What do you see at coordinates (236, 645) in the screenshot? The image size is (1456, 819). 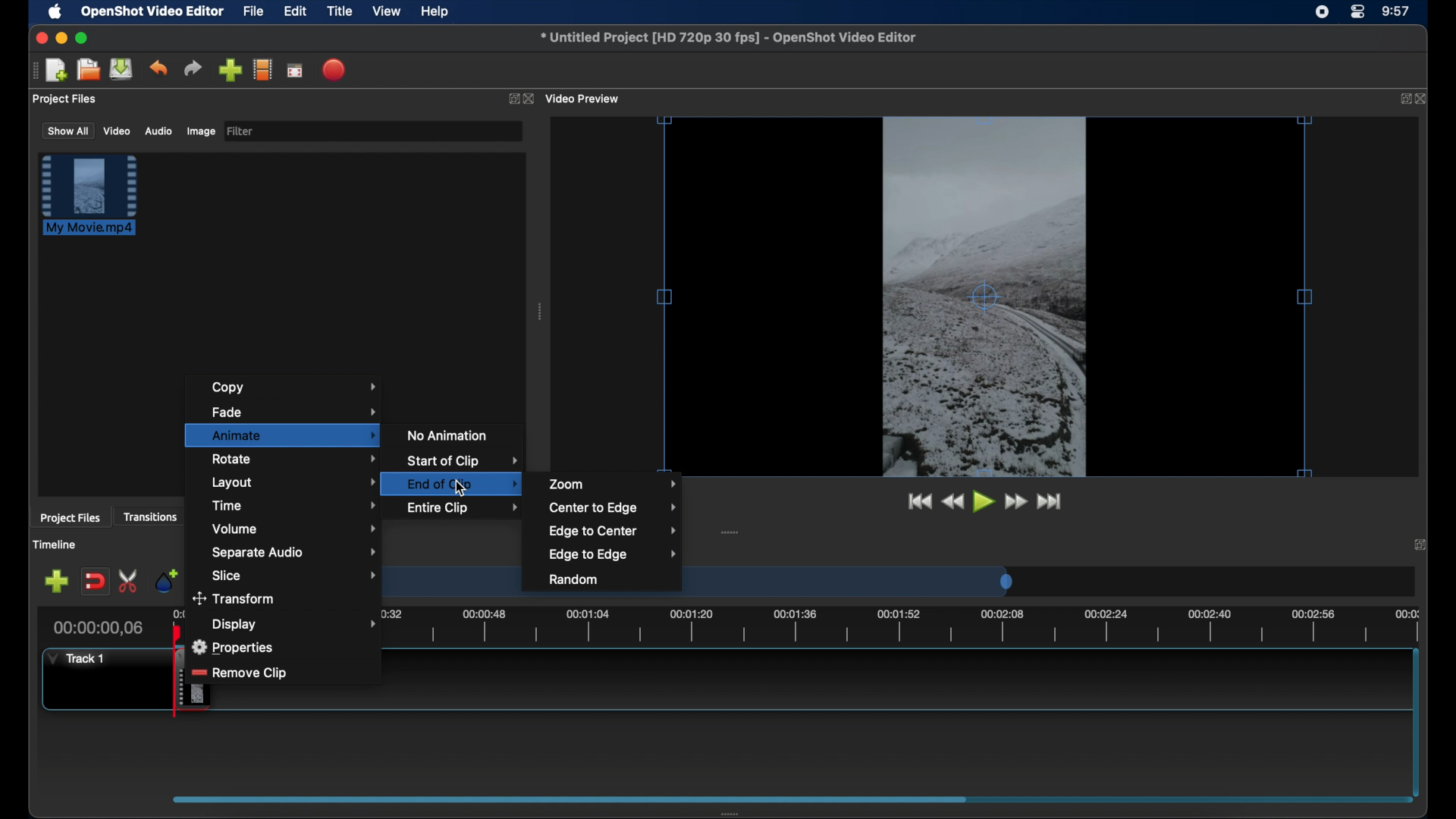 I see `properties` at bounding box center [236, 645].